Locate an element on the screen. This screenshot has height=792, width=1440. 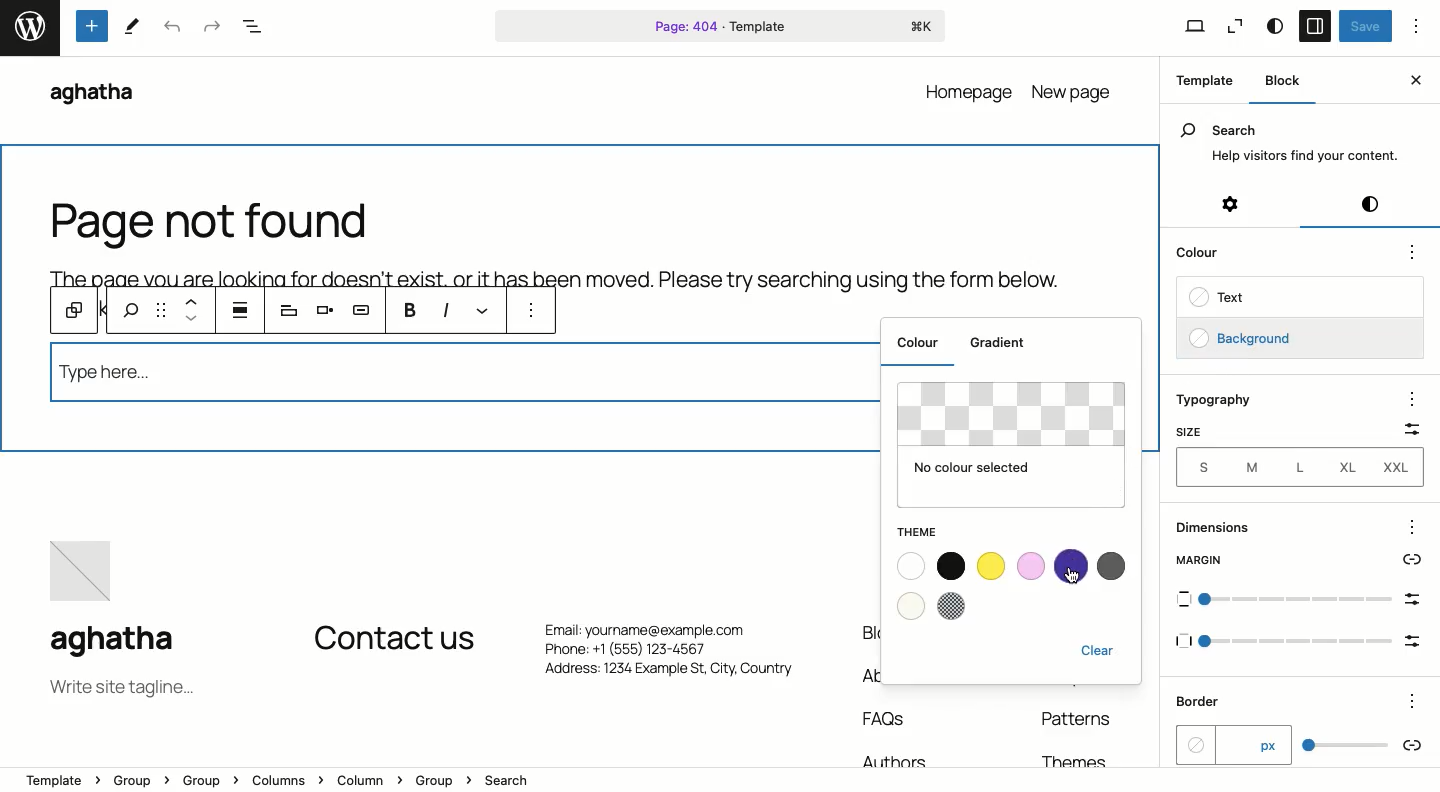
Styles is located at coordinates (1368, 208).